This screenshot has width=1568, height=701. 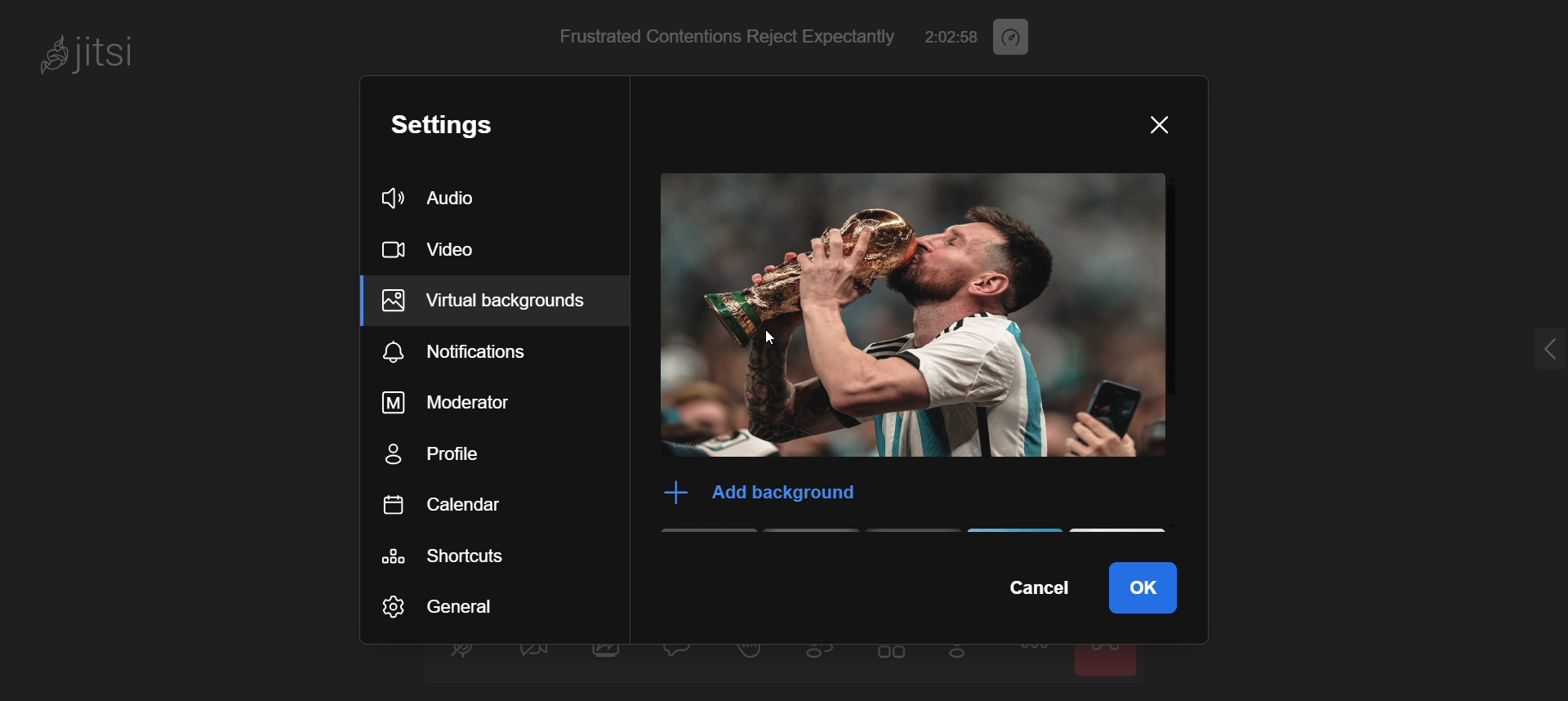 What do you see at coordinates (474, 551) in the screenshot?
I see `shortcuts` at bounding box center [474, 551].